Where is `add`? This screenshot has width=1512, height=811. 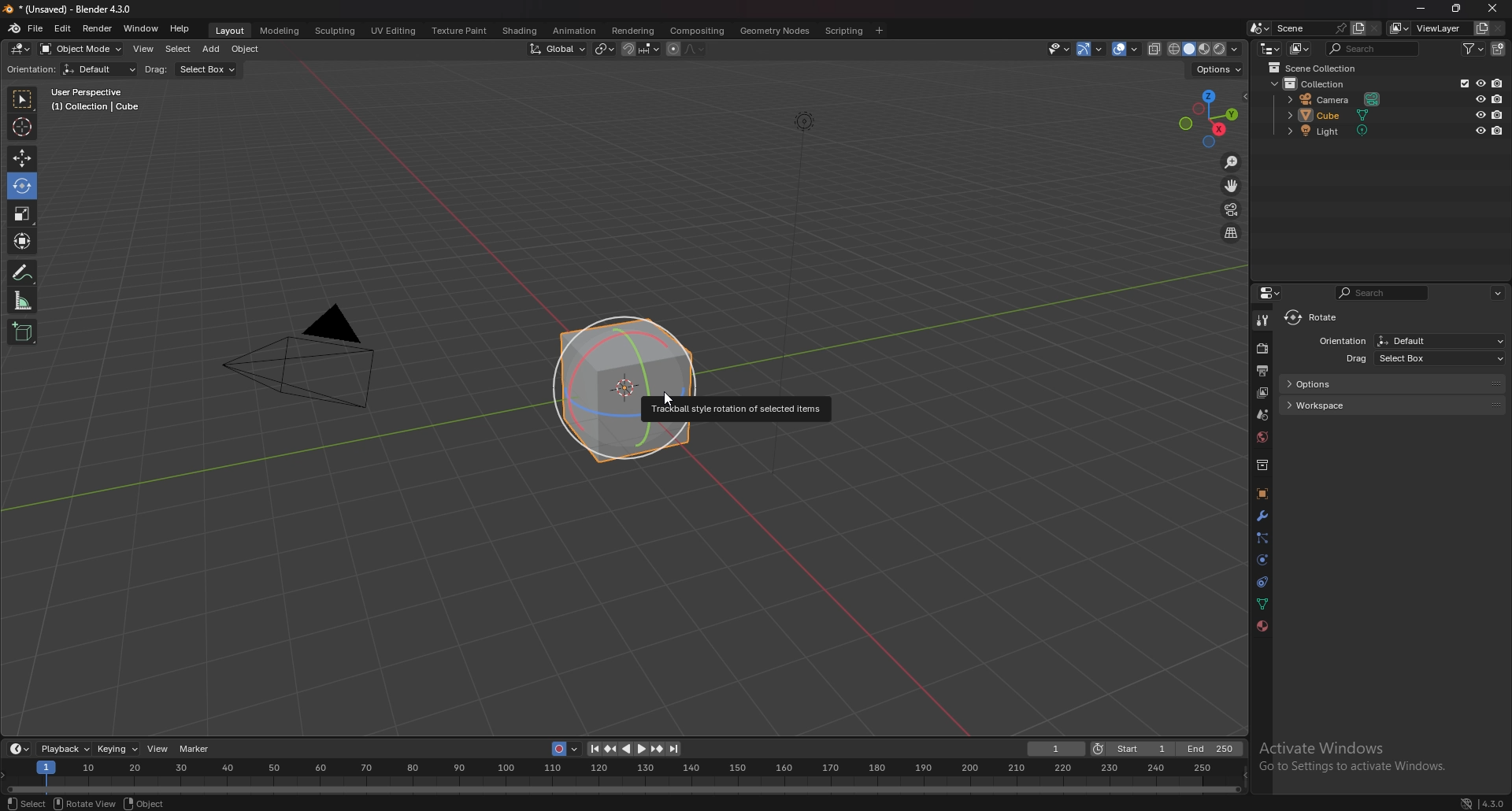
add is located at coordinates (211, 50).